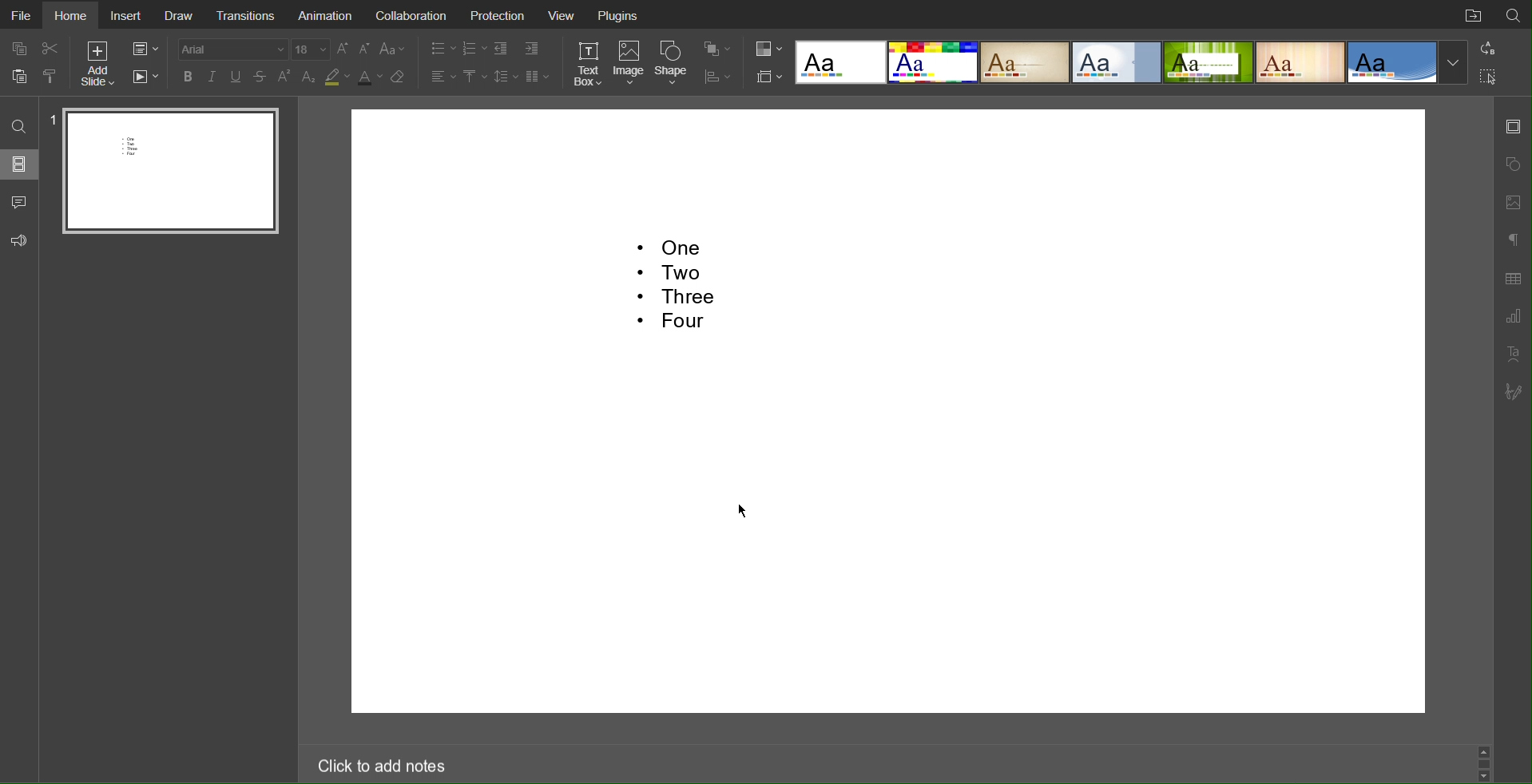  Describe the element at coordinates (1514, 14) in the screenshot. I see `Search` at that location.